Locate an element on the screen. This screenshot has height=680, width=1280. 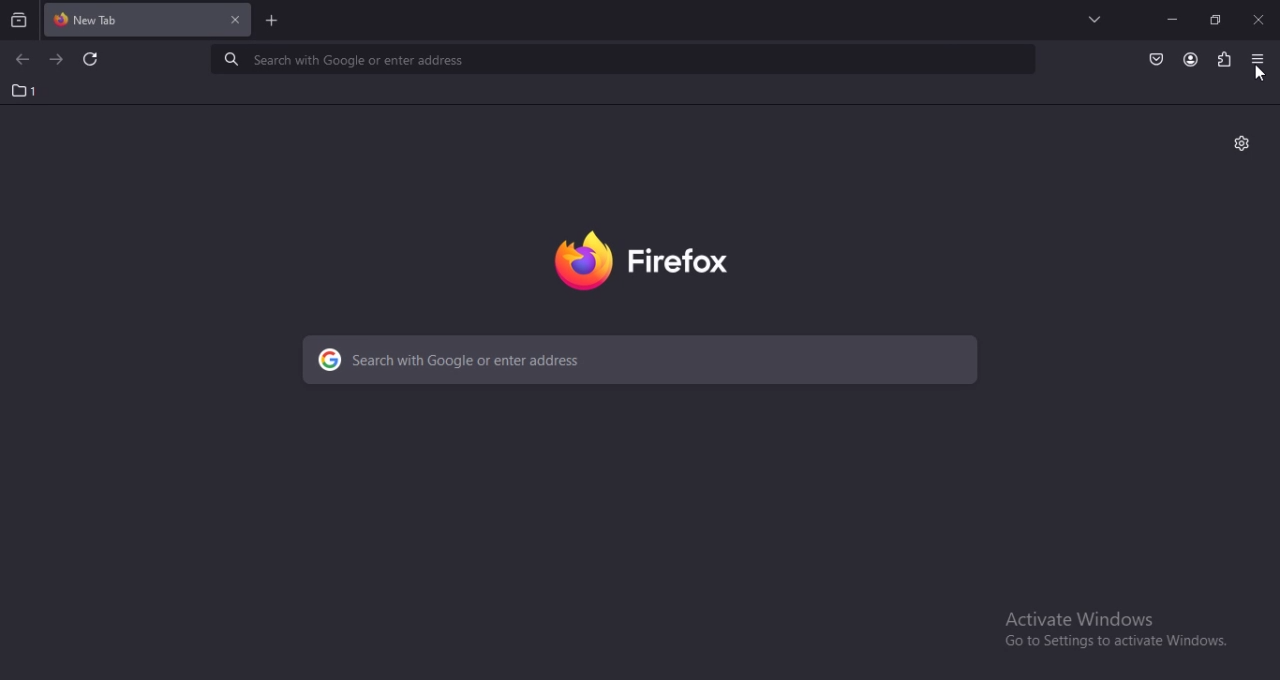
minmize is located at coordinates (1170, 18).